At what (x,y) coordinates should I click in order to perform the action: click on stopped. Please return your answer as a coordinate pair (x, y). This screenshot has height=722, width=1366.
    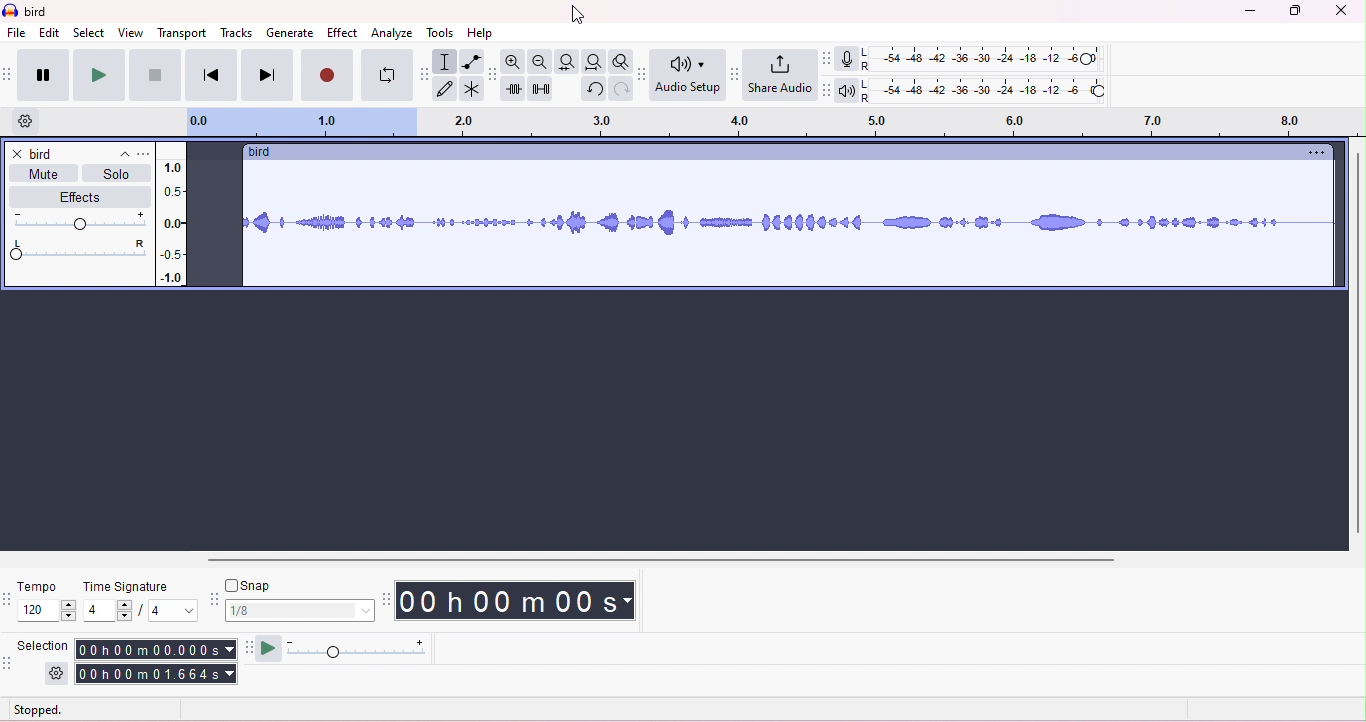
    Looking at the image, I should click on (39, 711).